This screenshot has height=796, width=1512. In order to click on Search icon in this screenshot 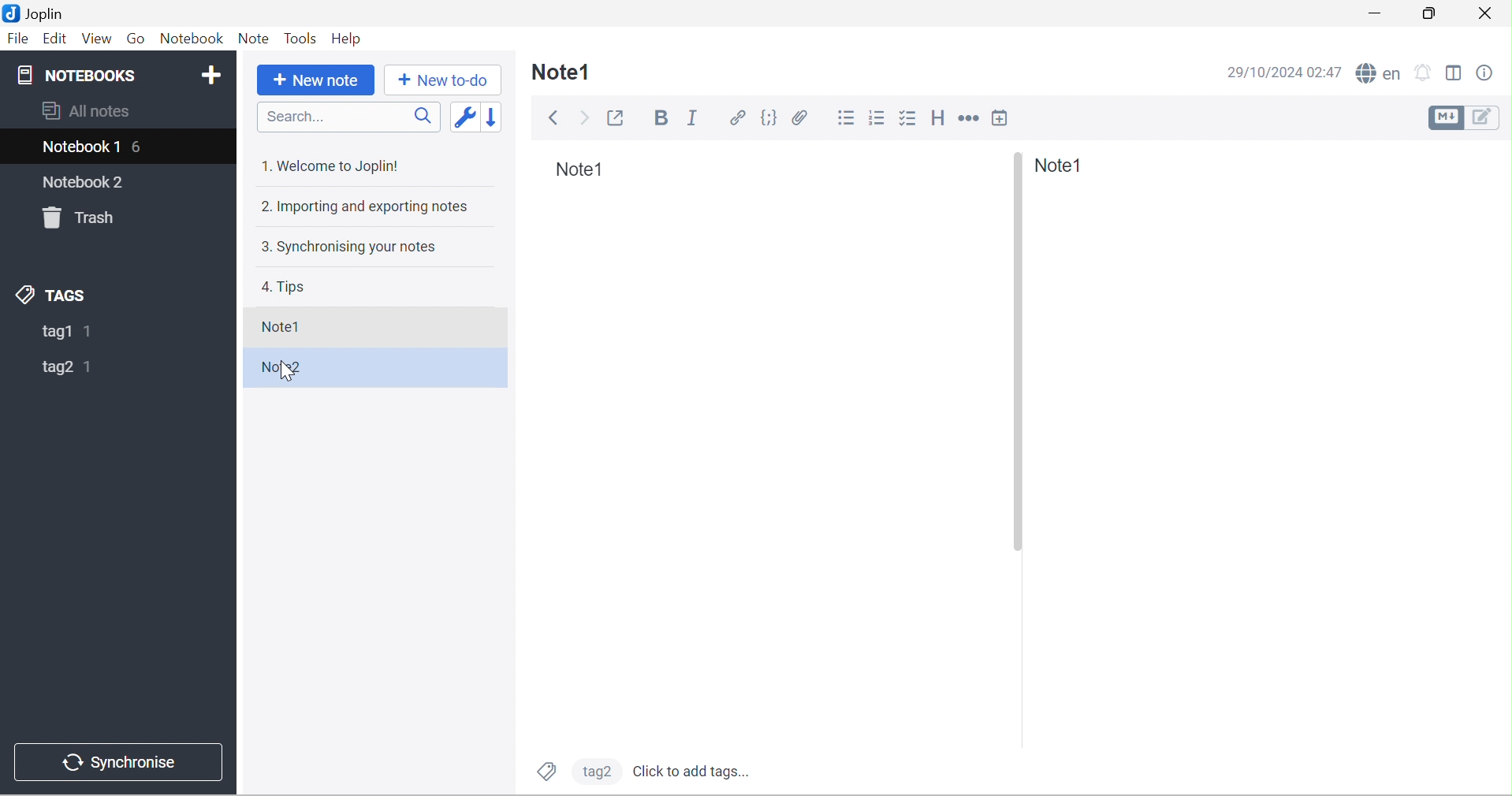, I will do `click(422, 117)`.